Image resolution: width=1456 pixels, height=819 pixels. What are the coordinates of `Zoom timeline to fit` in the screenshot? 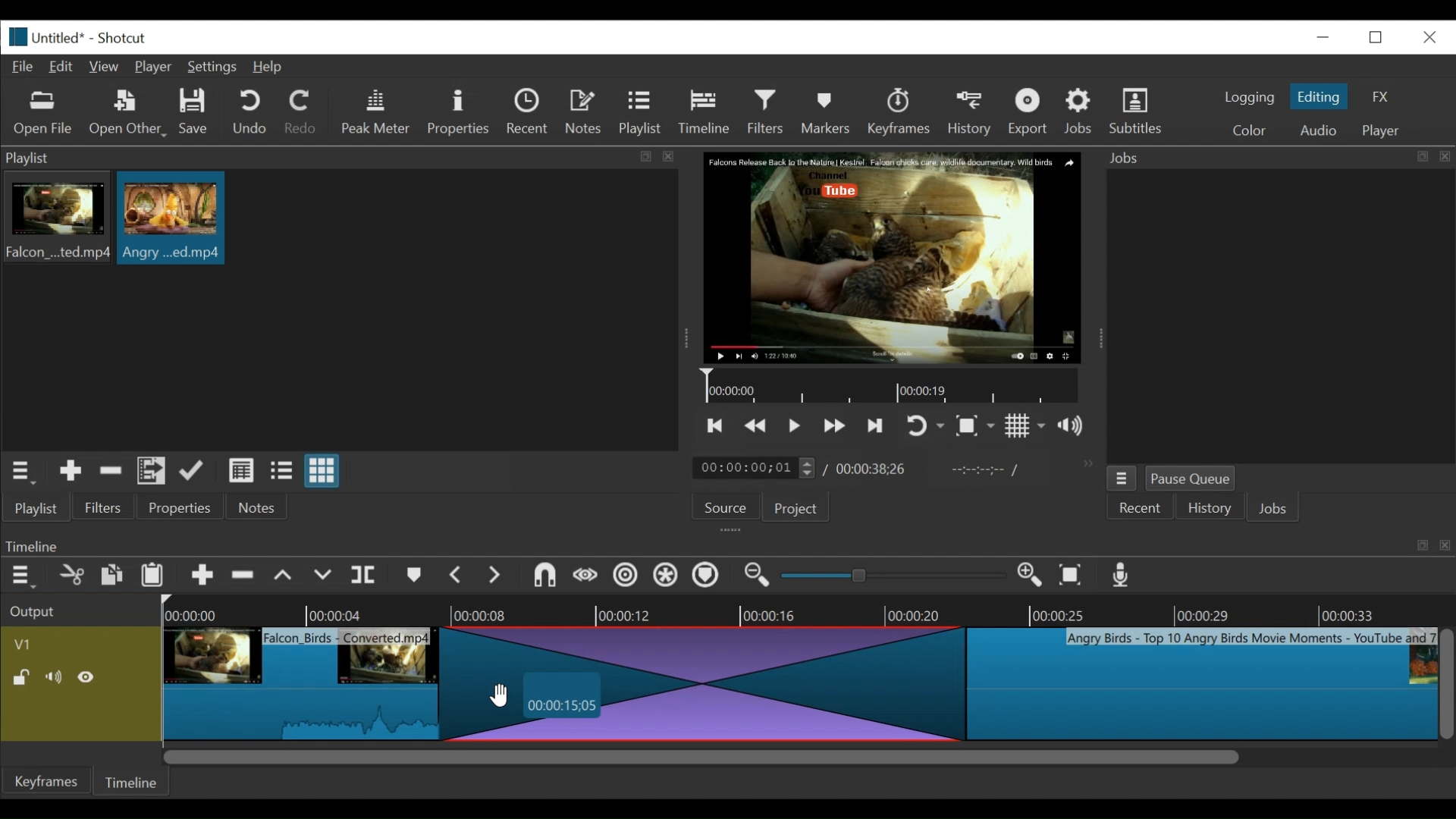 It's located at (1075, 576).